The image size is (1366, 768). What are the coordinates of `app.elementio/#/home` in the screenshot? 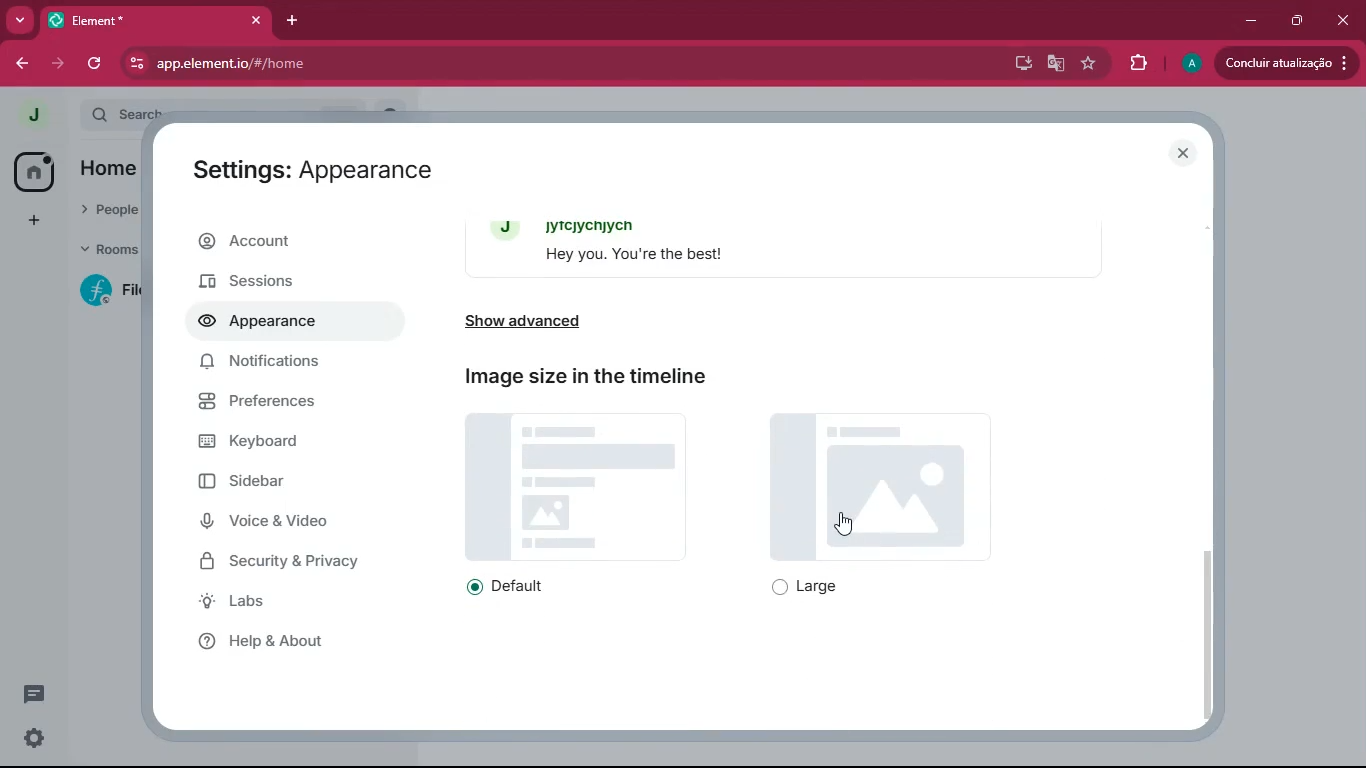 It's located at (371, 63).